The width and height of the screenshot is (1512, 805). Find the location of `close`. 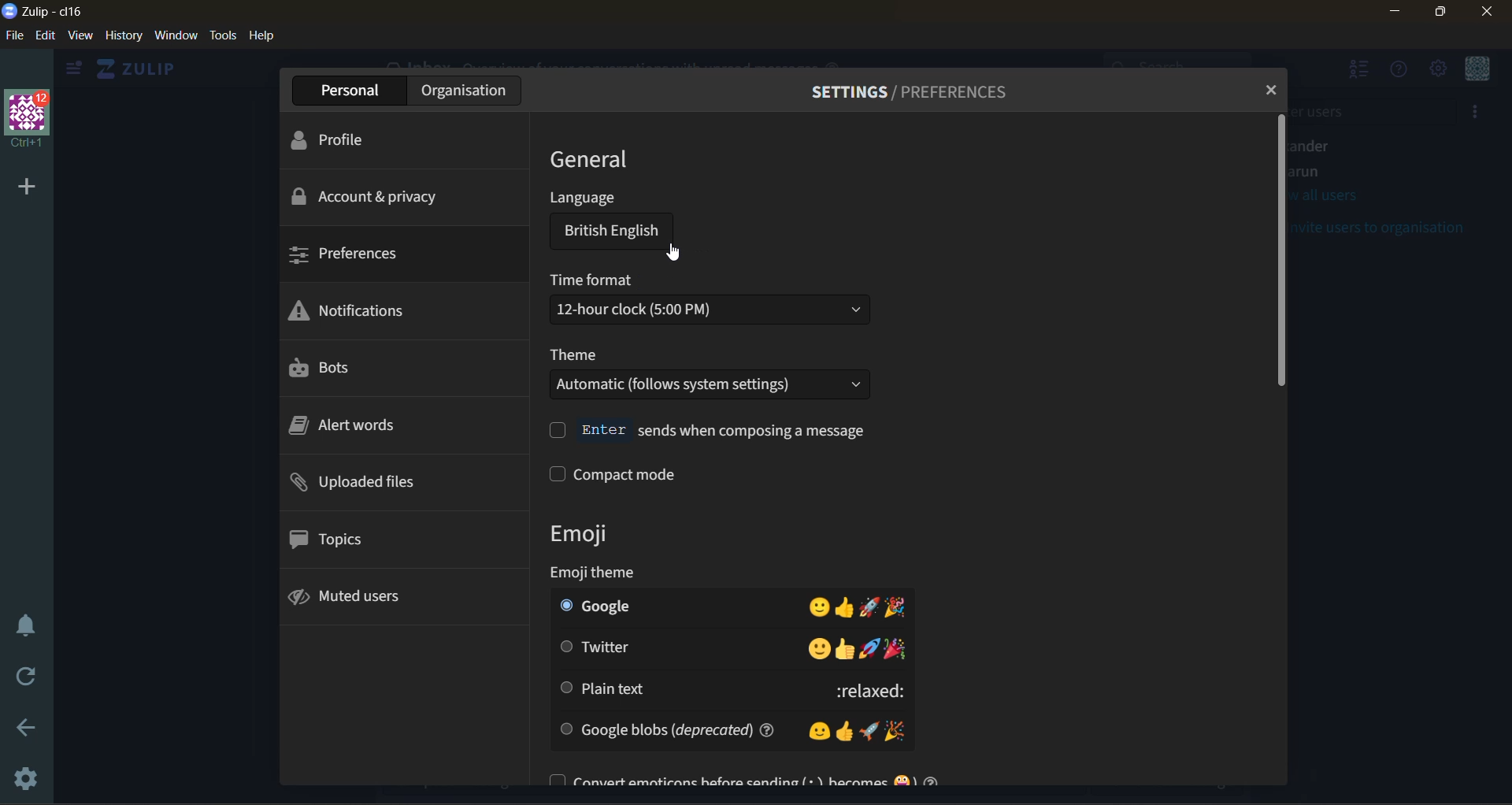

close is located at coordinates (1271, 91).